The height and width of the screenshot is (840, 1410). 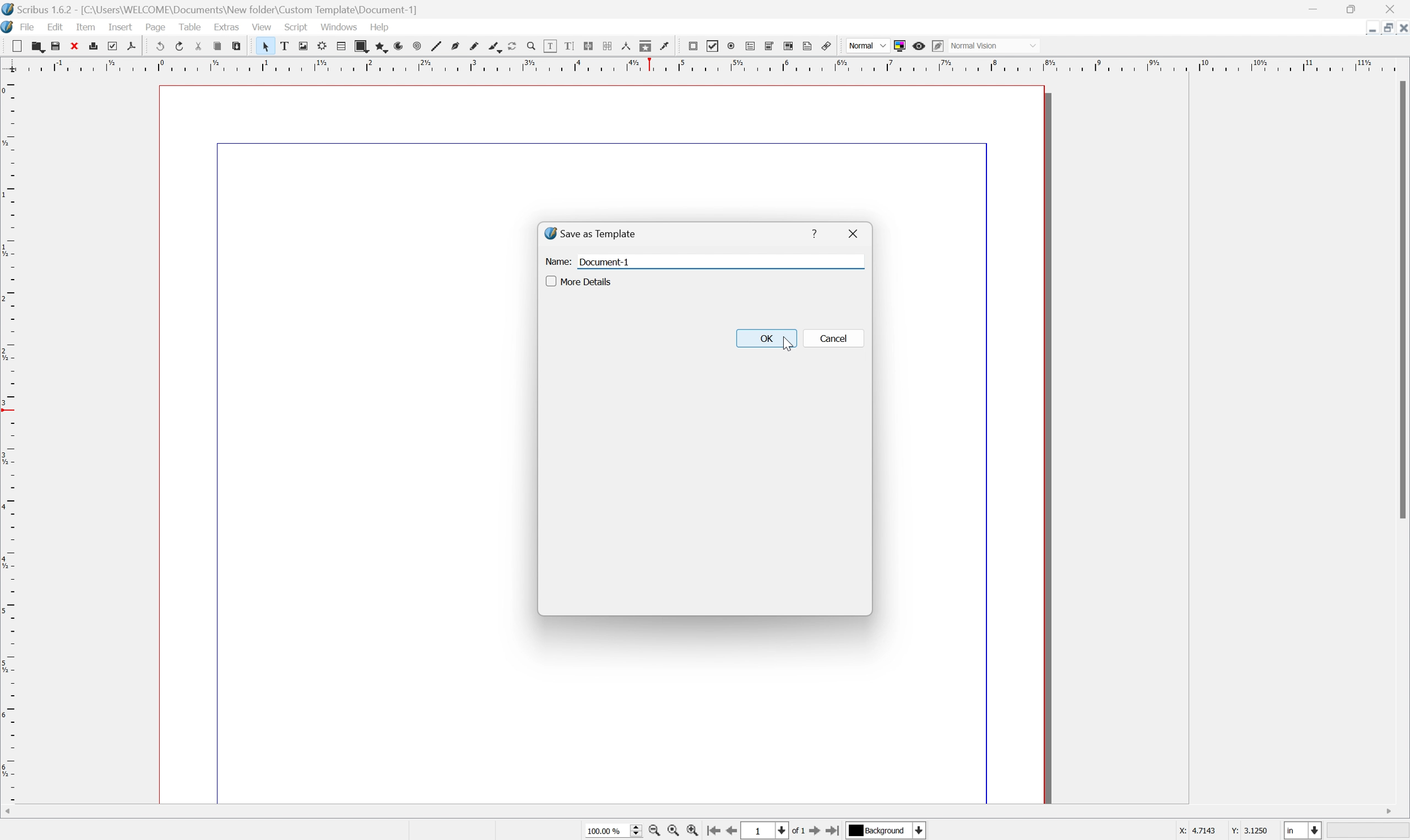 I want to click on Scale, so click(x=707, y=64).